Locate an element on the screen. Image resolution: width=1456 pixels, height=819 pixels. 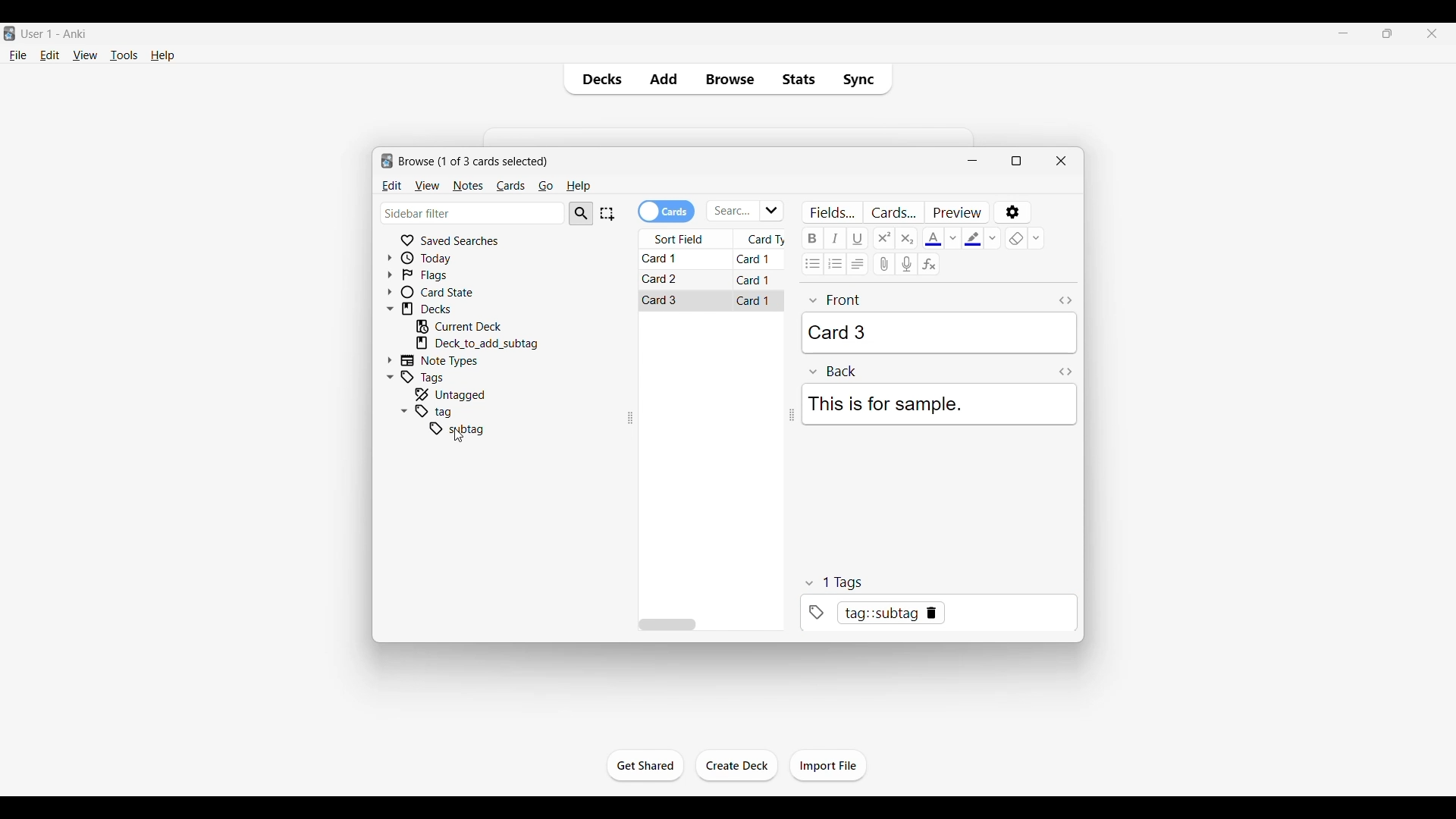
Go menu is located at coordinates (545, 187).